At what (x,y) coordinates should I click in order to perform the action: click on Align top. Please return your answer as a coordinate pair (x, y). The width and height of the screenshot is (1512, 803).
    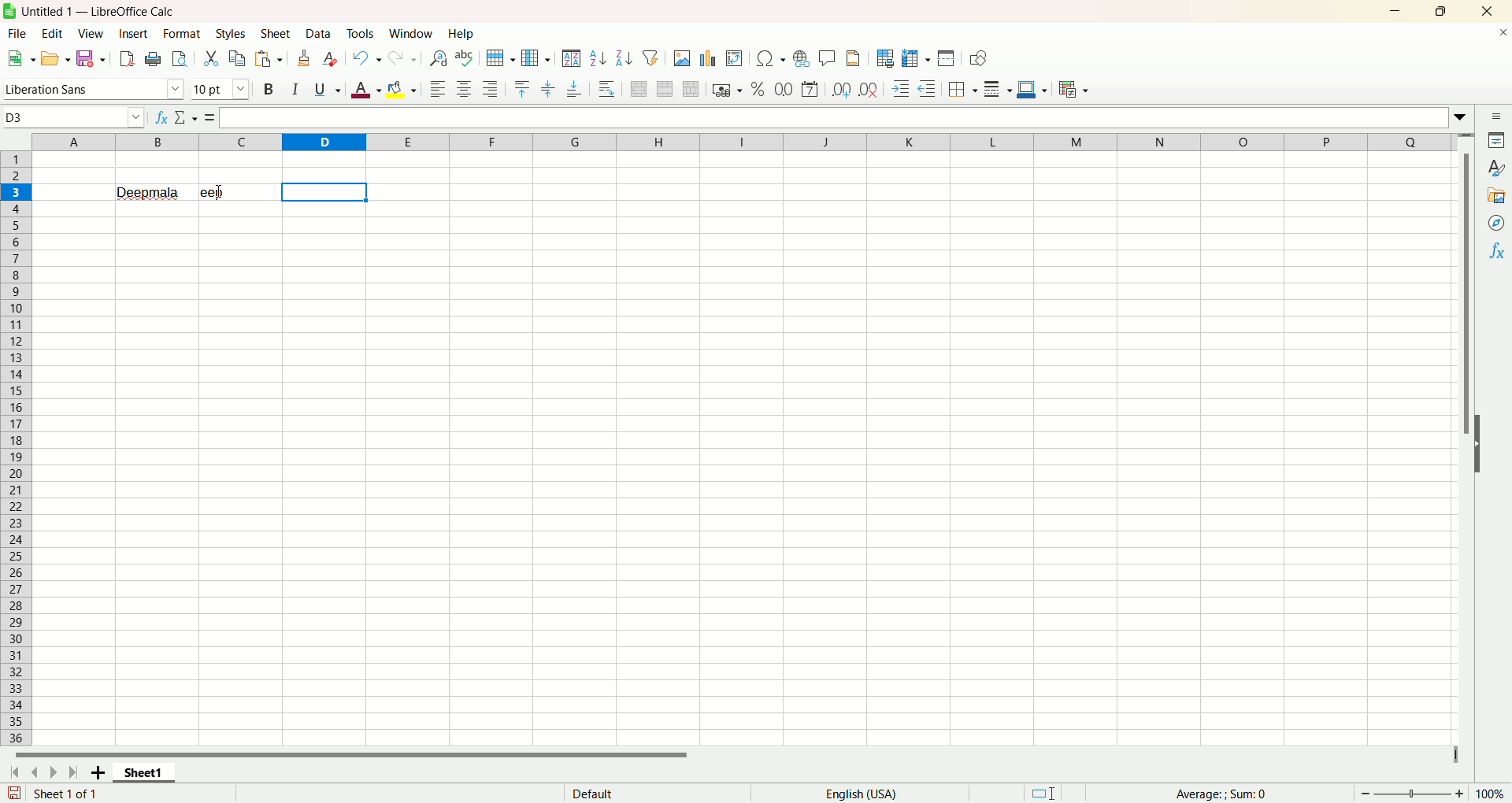
    Looking at the image, I should click on (521, 90).